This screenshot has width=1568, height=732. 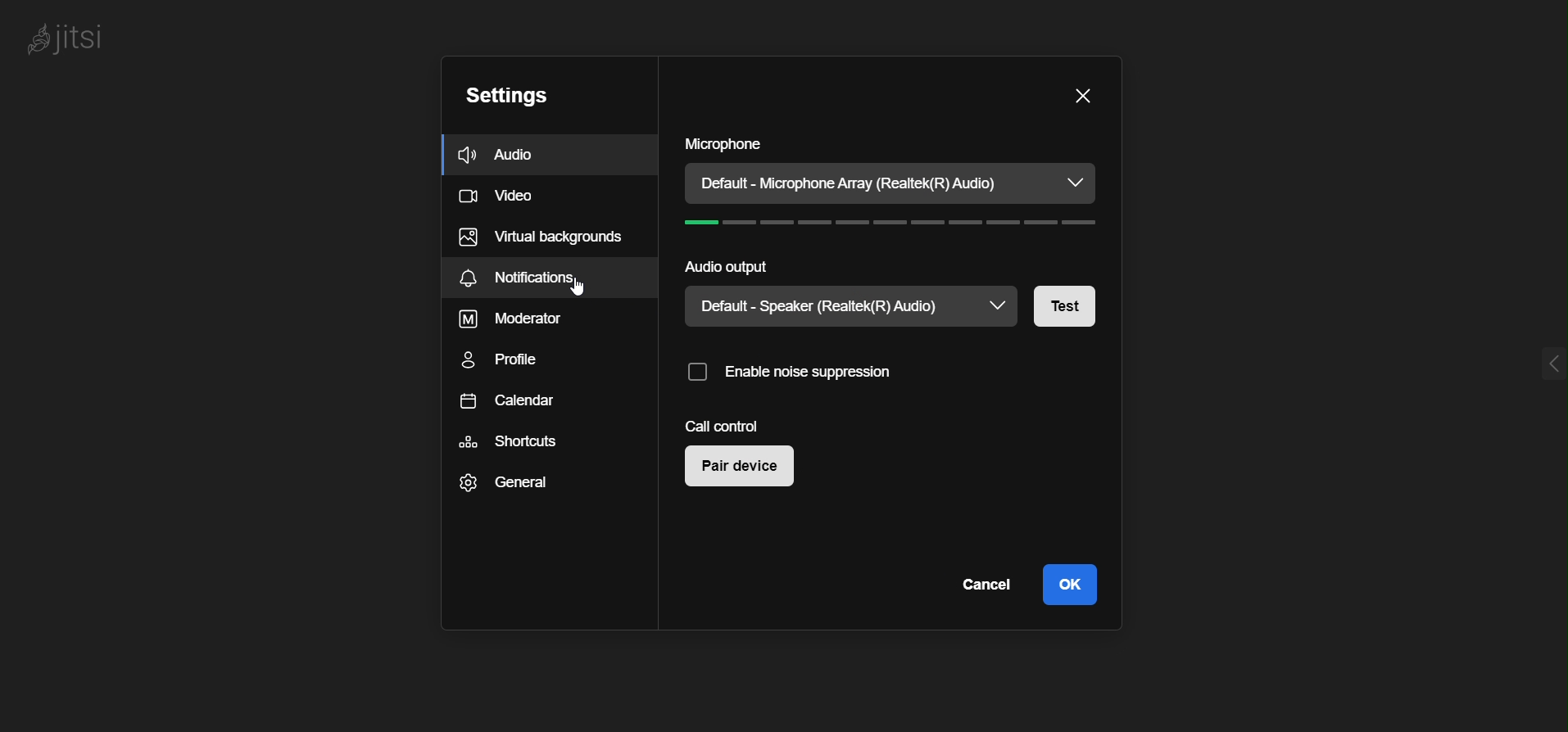 I want to click on notifications, so click(x=539, y=278).